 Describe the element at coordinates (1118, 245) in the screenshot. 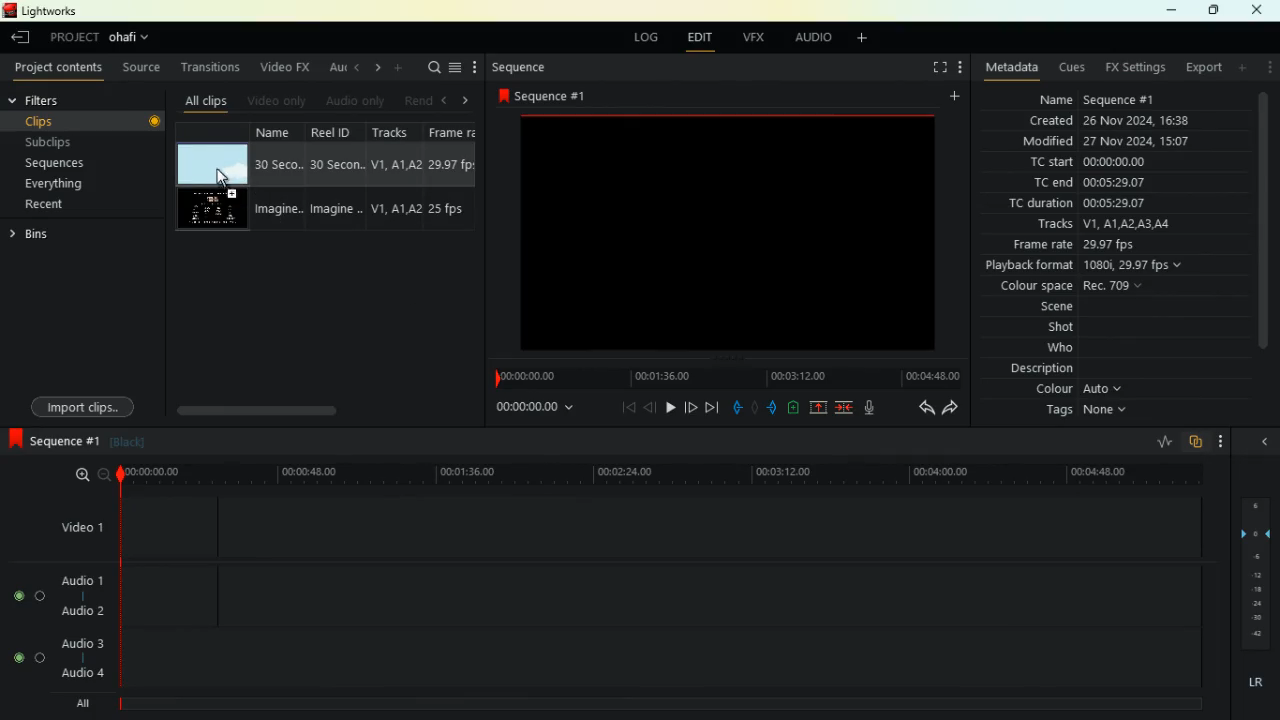

I see `29.97 fps` at that location.